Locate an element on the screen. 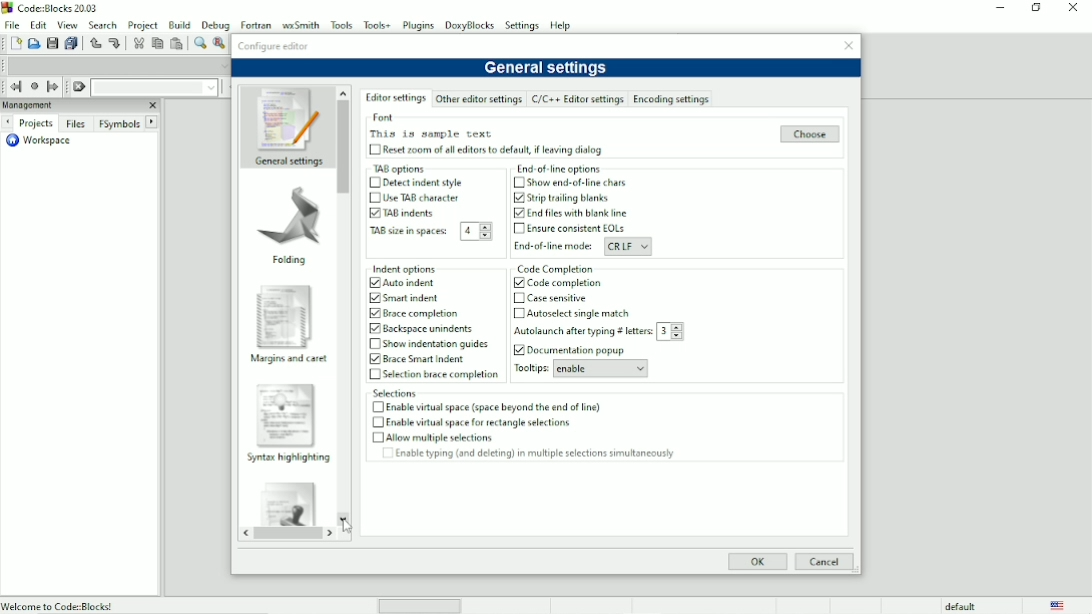 Image resolution: width=1092 pixels, height=614 pixels. Code : Blocks 20.03 is located at coordinates (53, 7).